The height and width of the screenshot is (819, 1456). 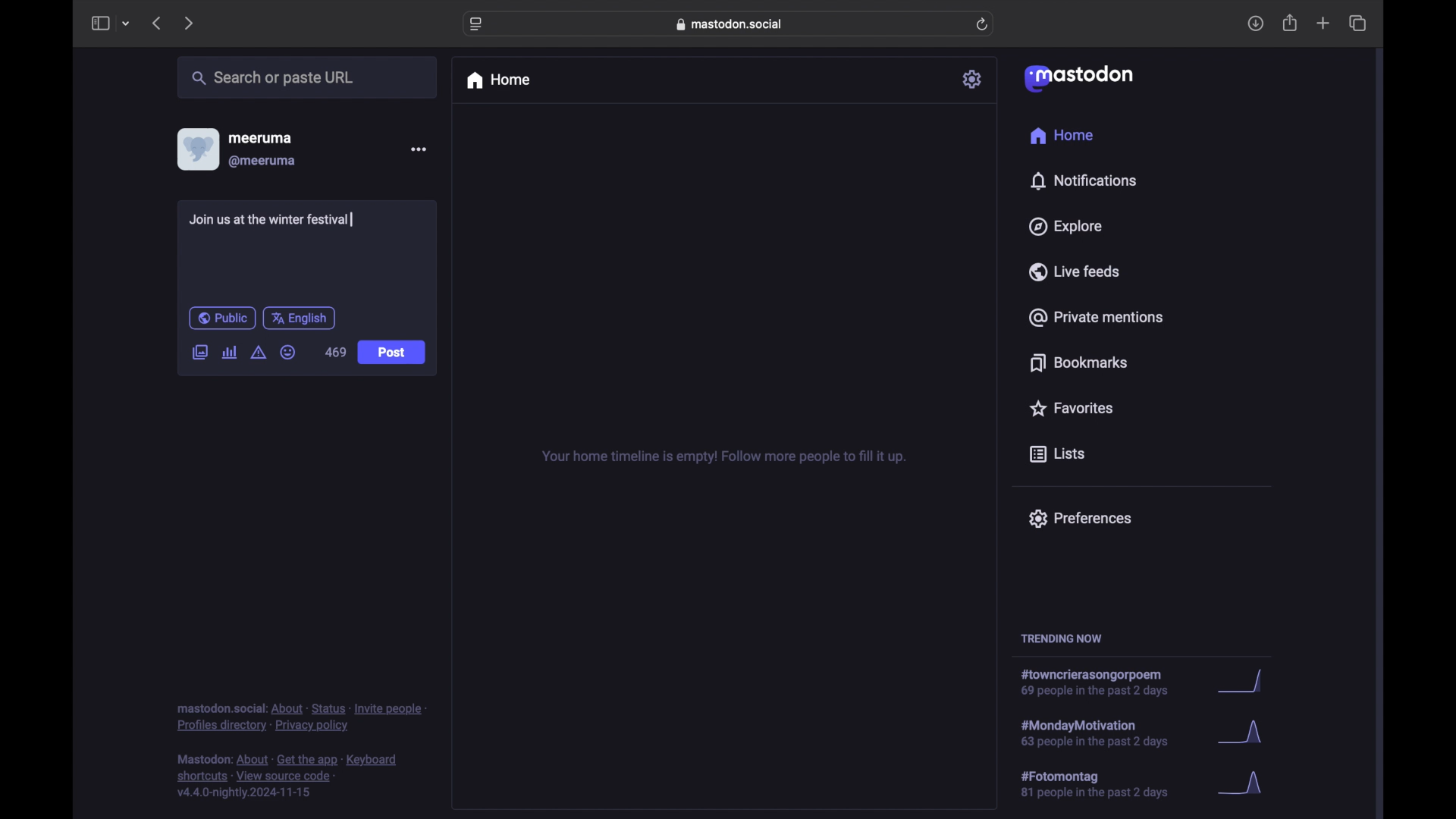 I want to click on hashtag trend, so click(x=1105, y=732).